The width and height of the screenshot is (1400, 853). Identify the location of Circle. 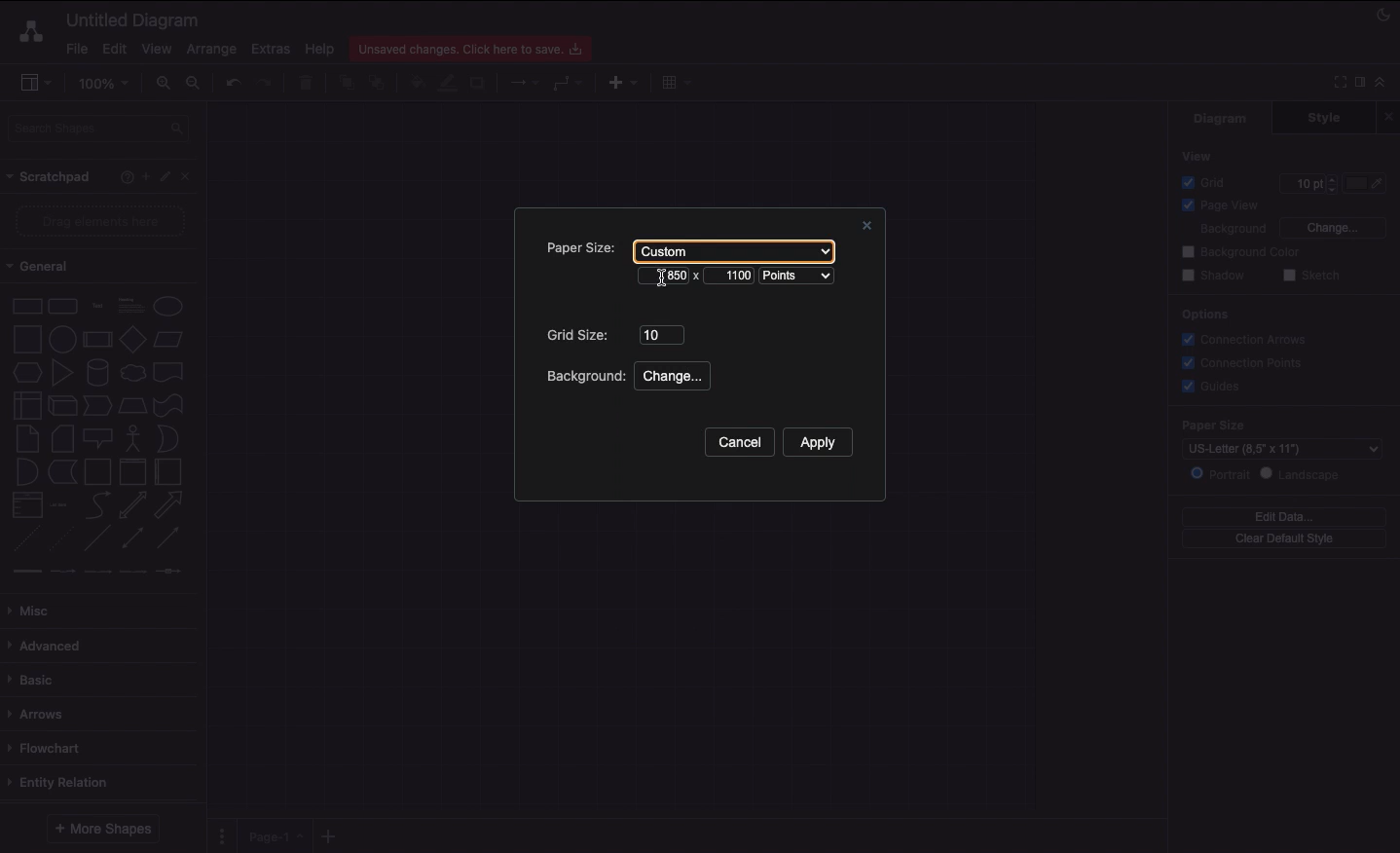
(62, 337).